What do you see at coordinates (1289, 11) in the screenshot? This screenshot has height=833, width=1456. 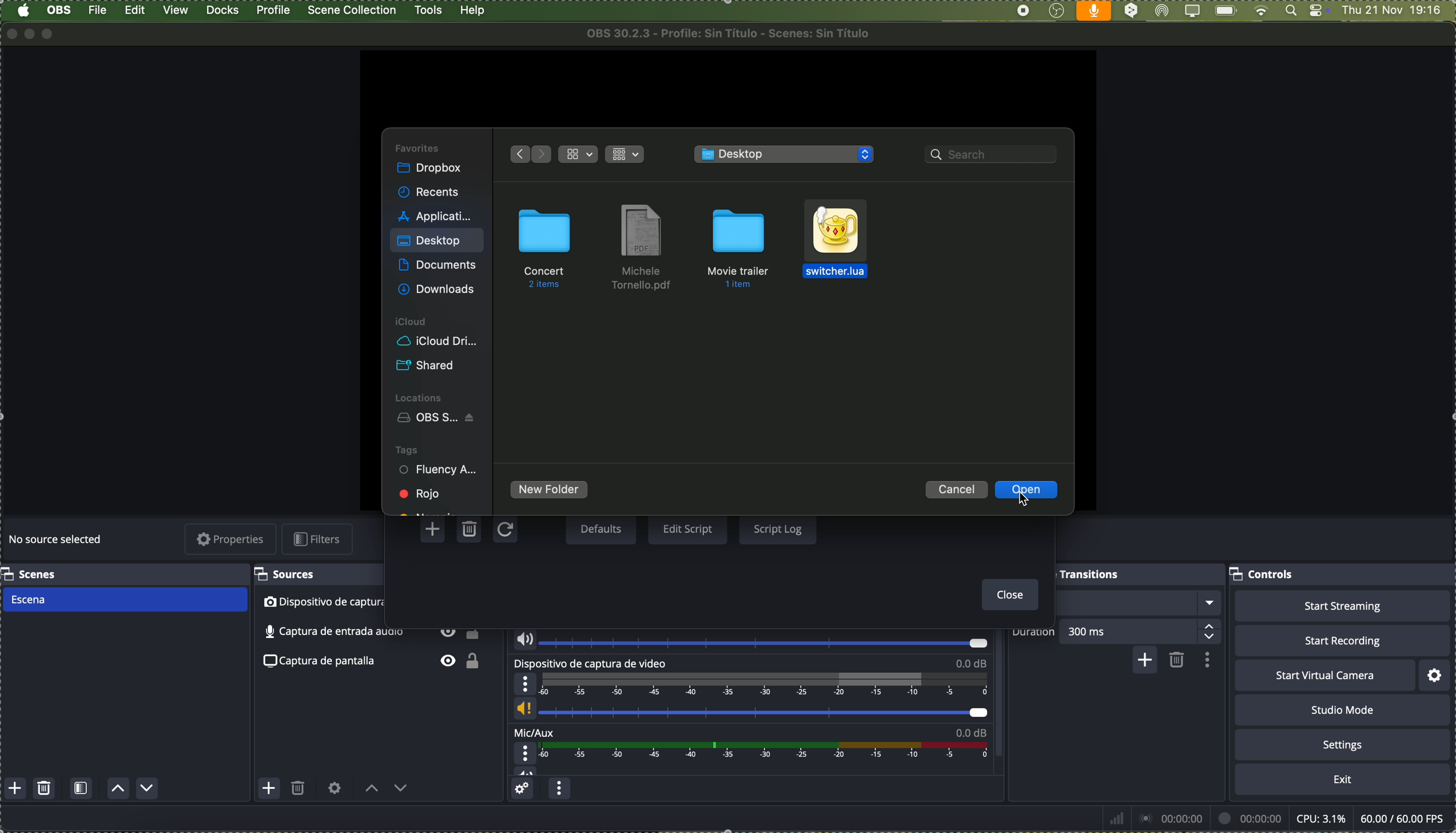 I see `Spotlight search` at bounding box center [1289, 11].